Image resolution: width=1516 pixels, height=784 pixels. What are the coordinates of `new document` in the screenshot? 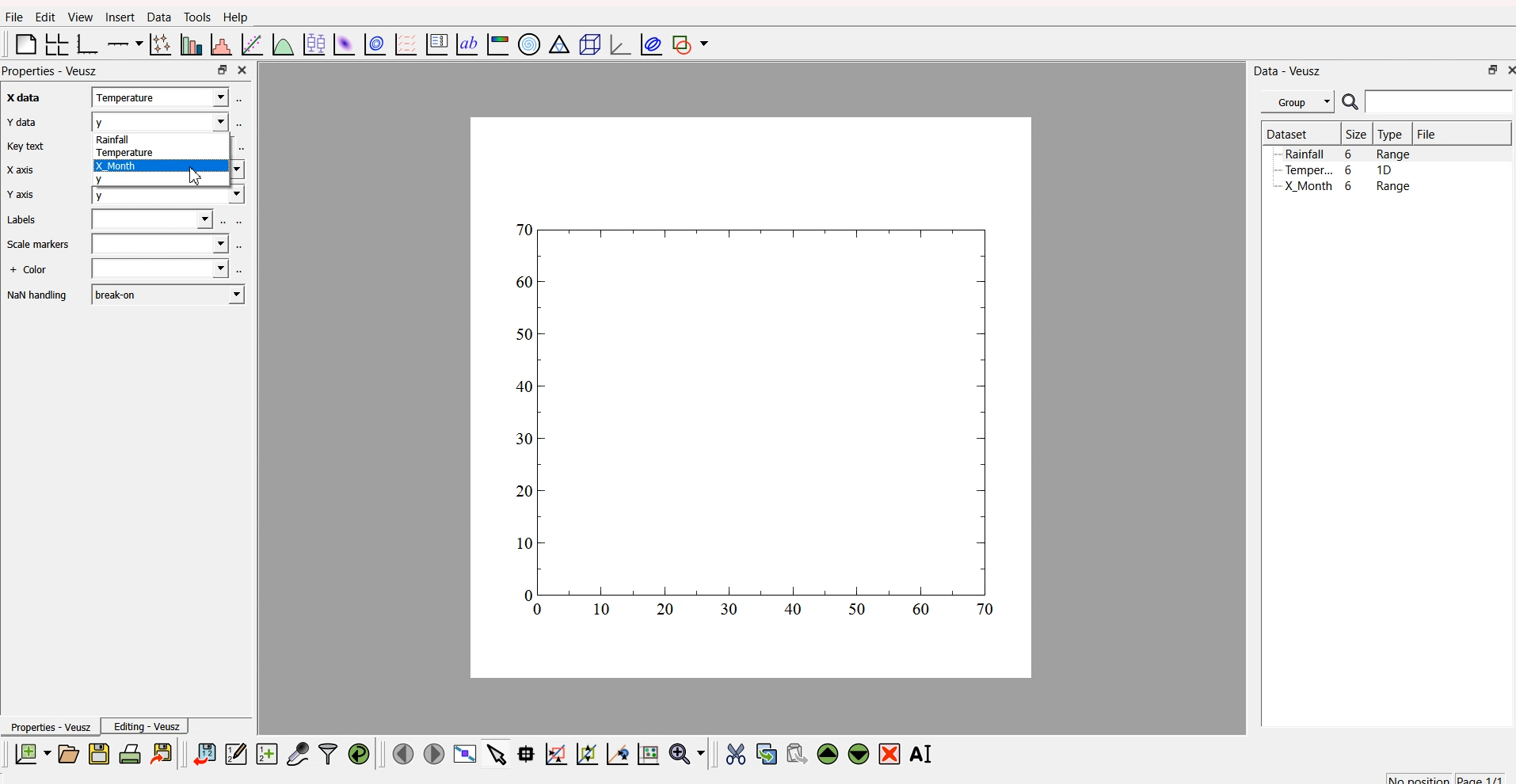 It's located at (32, 755).